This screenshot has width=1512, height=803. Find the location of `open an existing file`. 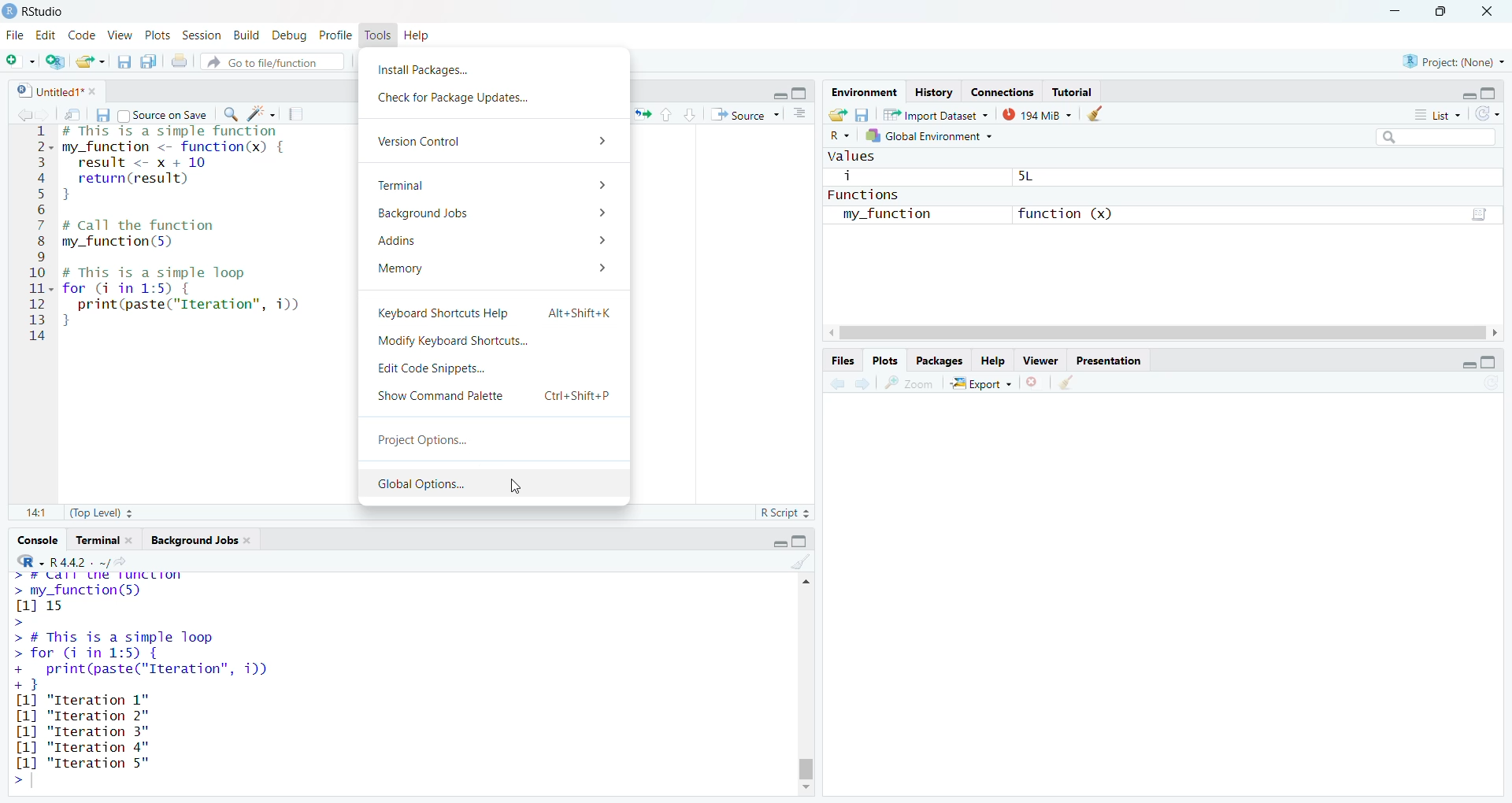

open an existing file is located at coordinates (91, 60).